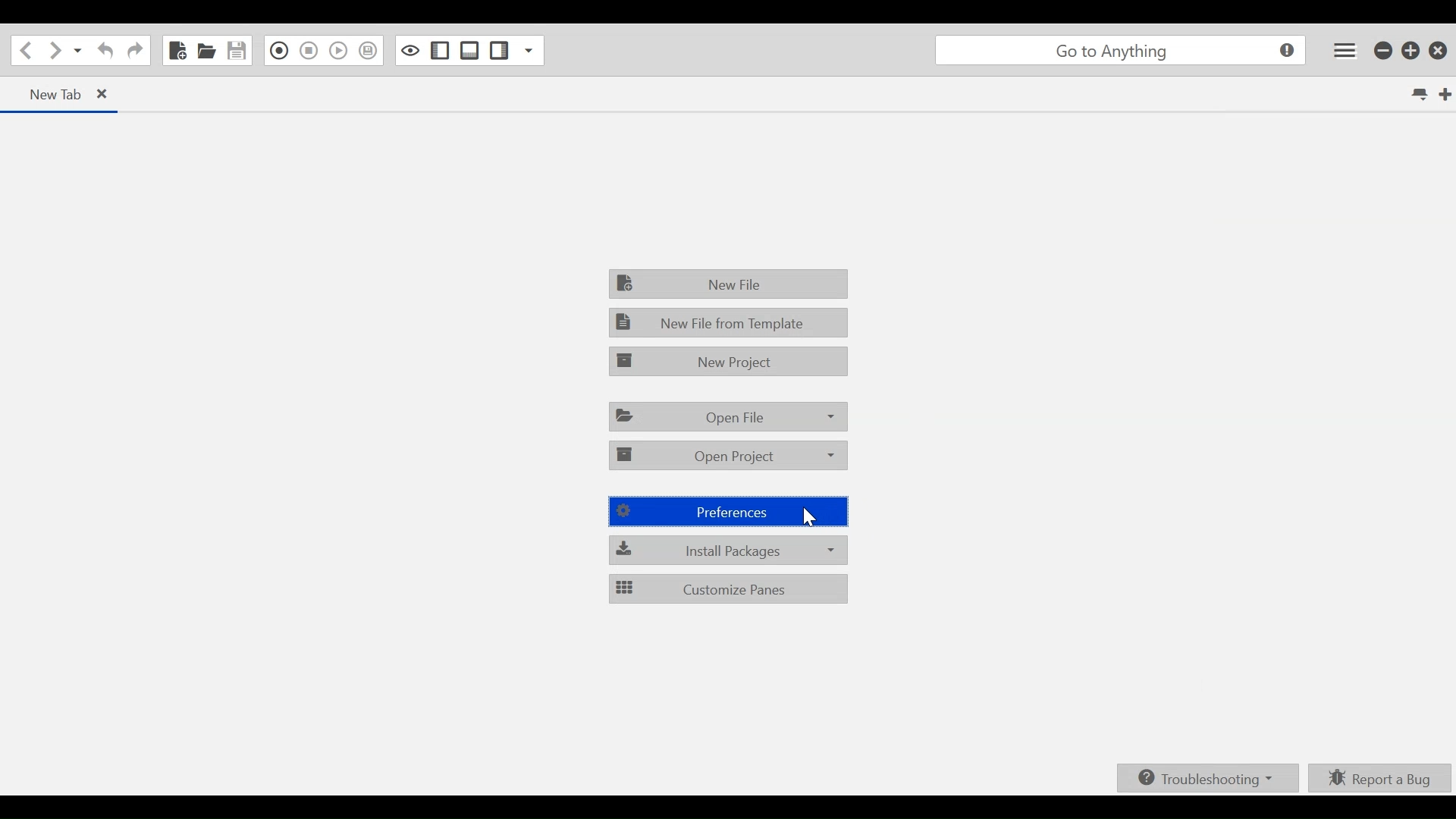 The height and width of the screenshot is (819, 1456). I want to click on Ne File, so click(730, 283).